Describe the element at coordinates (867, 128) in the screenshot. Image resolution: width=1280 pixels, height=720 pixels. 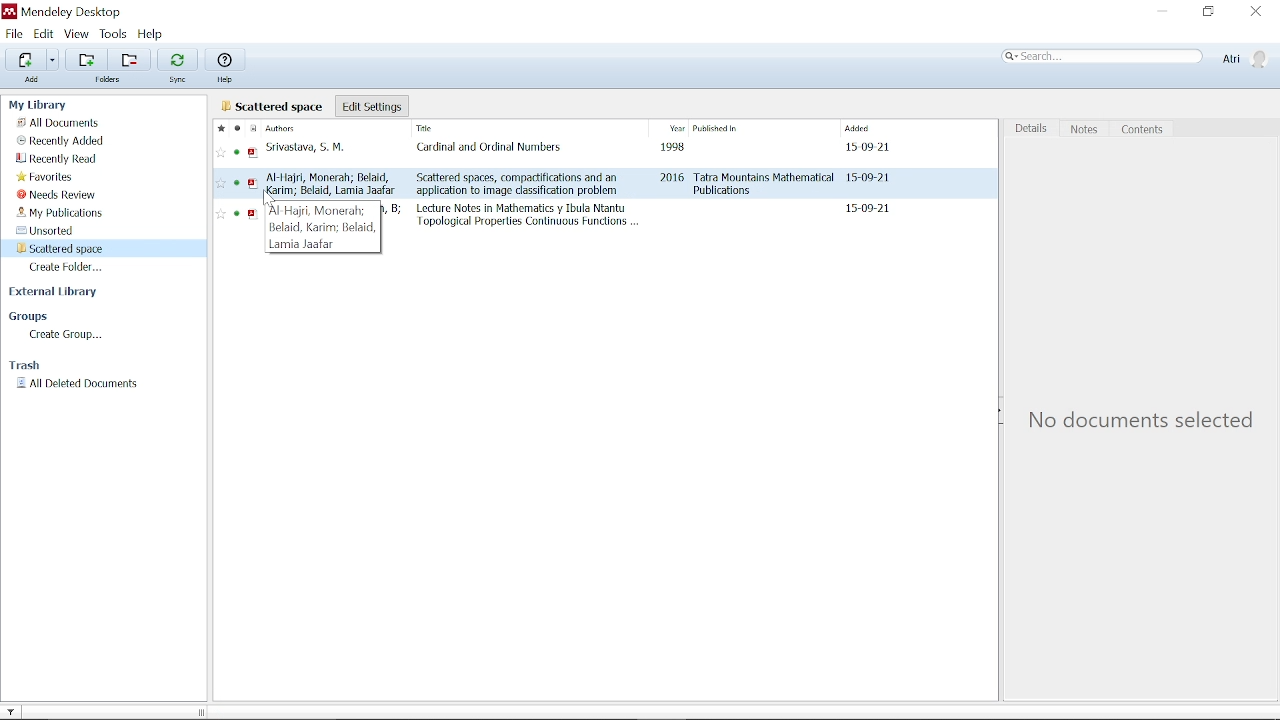
I see `Added ` at that location.